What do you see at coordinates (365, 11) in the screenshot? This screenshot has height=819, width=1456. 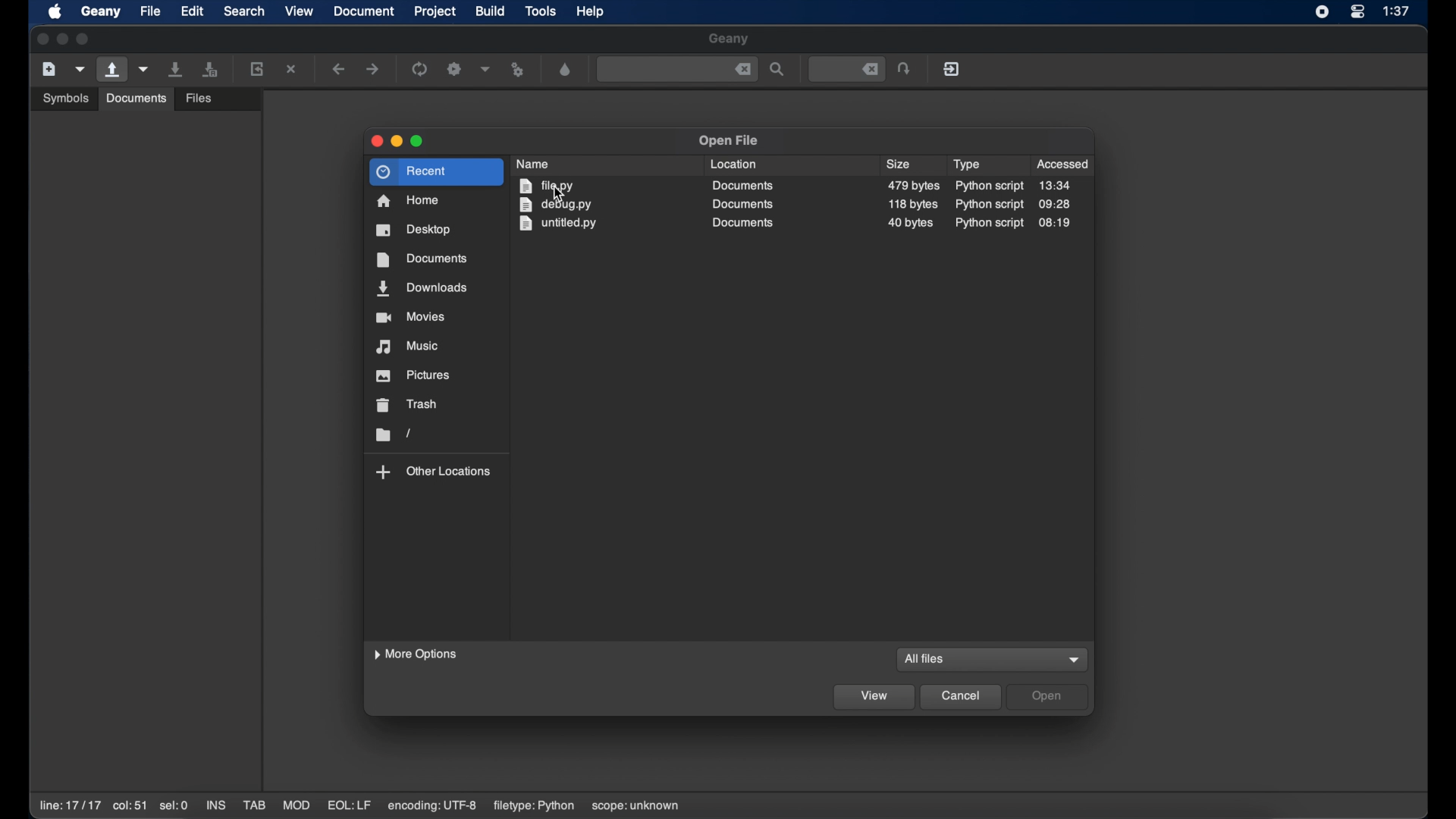 I see `document` at bounding box center [365, 11].